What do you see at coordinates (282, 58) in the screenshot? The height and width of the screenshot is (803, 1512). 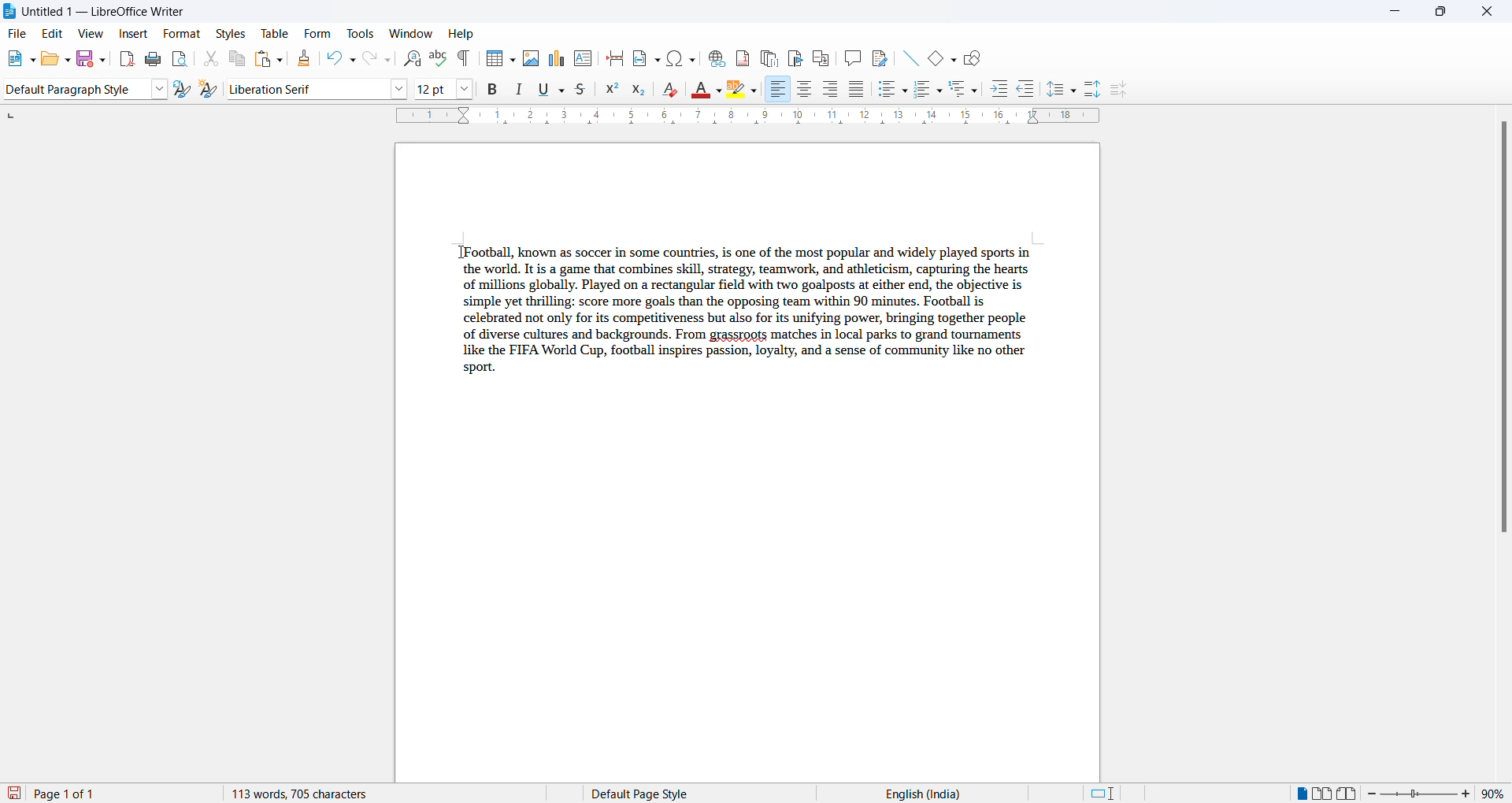 I see `paste options` at bounding box center [282, 58].